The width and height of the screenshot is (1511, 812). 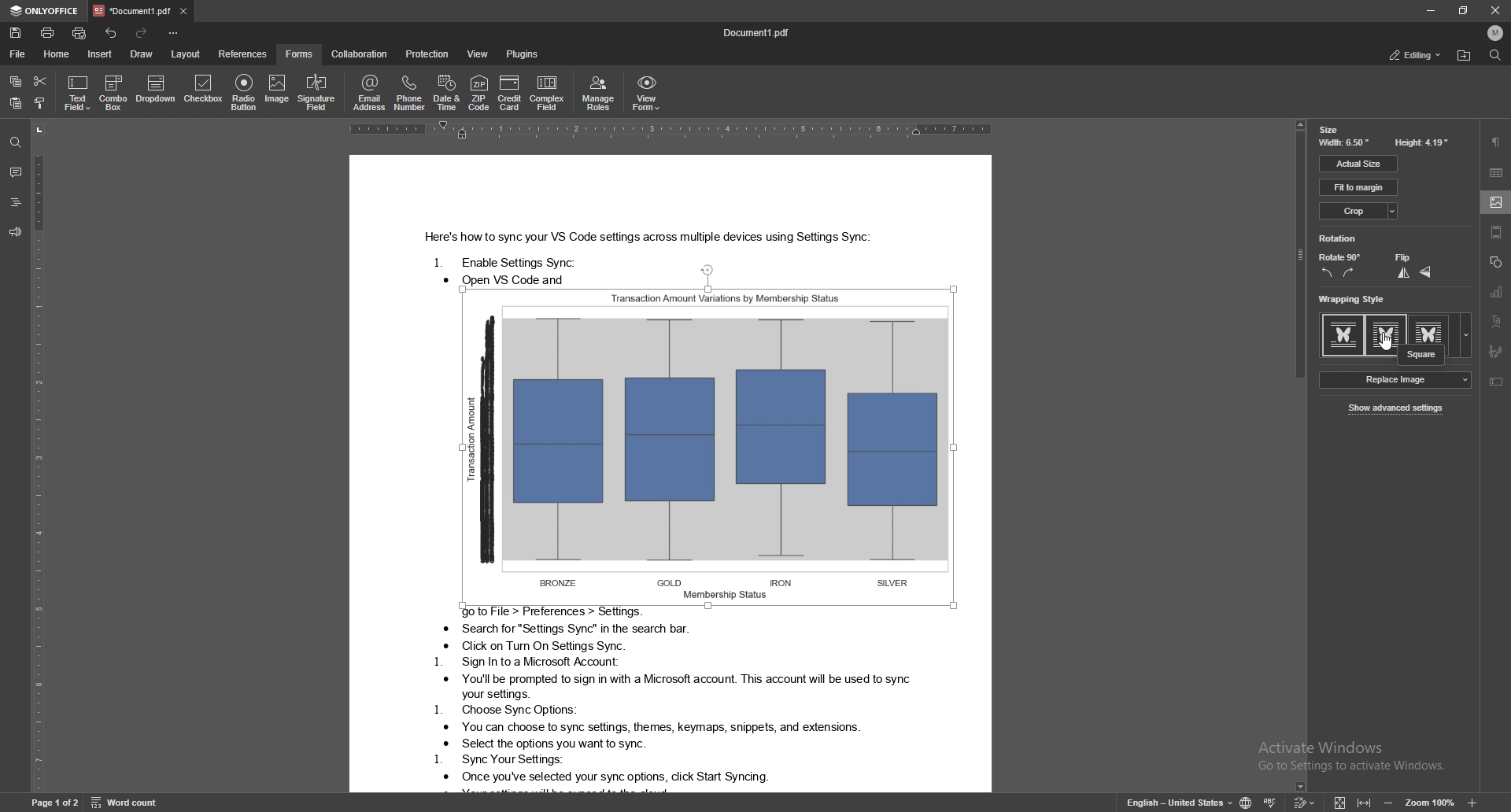 I want to click on profile, so click(x=1495, y=32).